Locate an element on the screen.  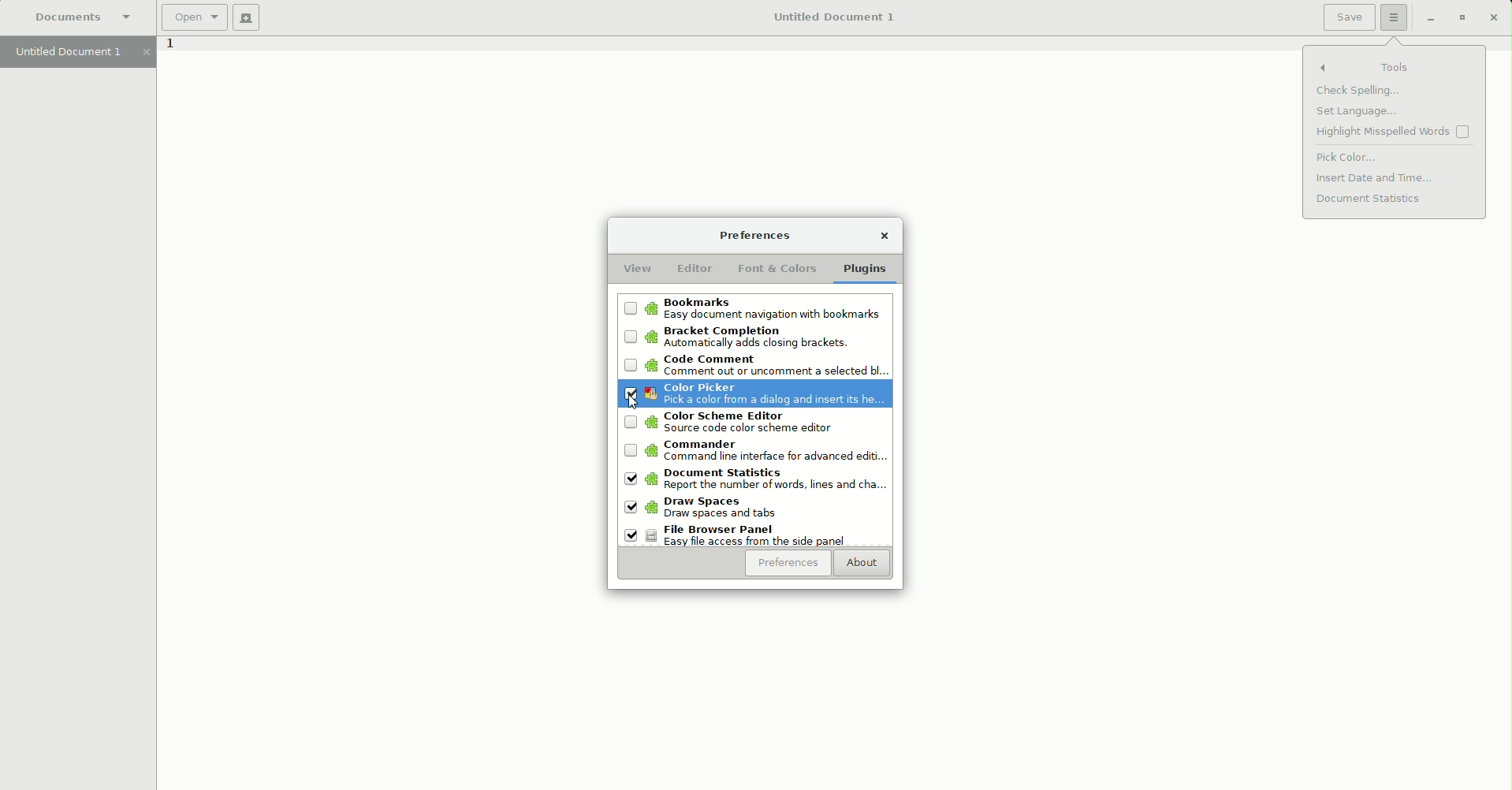
Pick color enabled is located at coordinates (1348, 156).